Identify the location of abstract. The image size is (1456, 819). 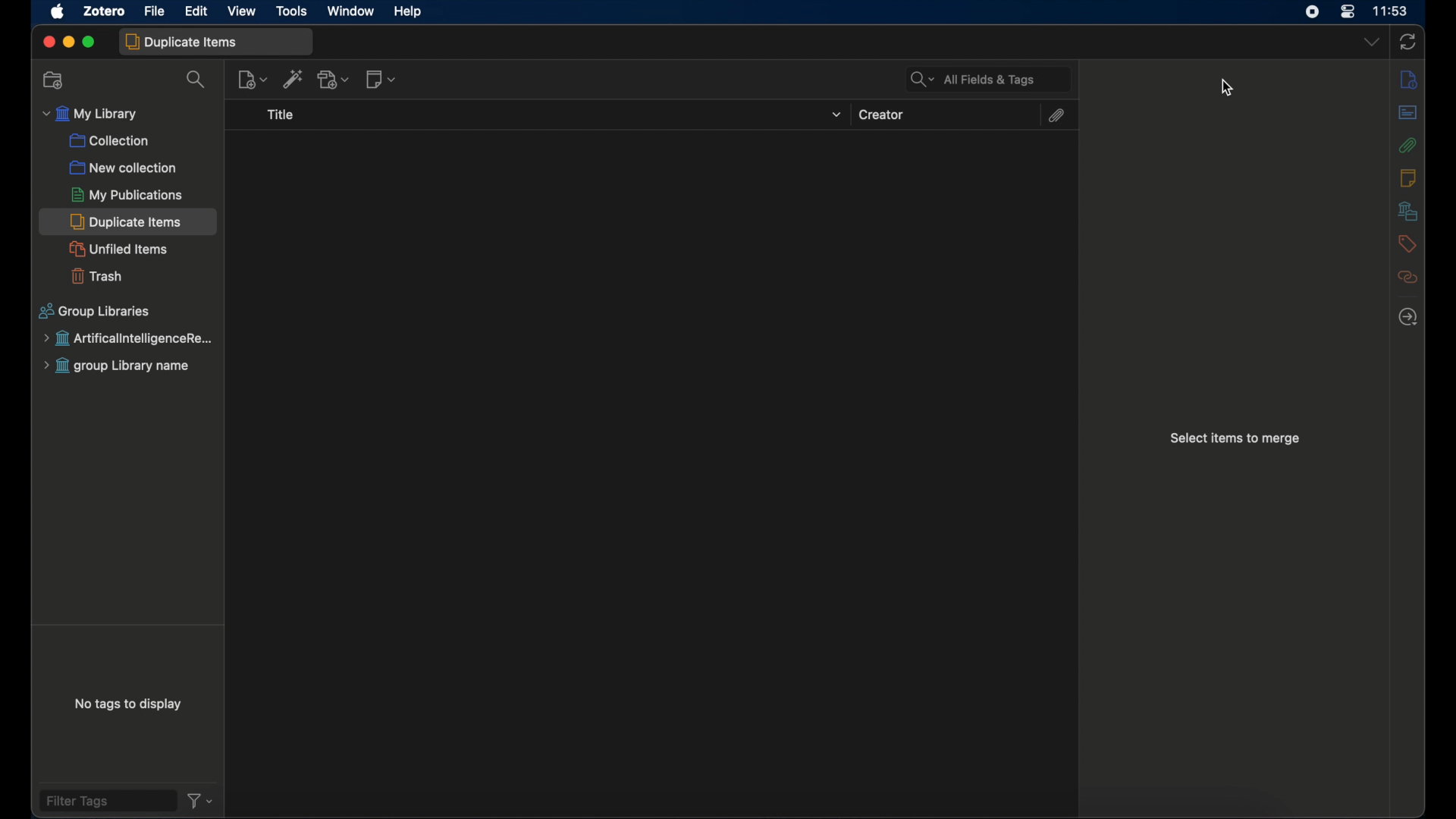
(1408, 113).